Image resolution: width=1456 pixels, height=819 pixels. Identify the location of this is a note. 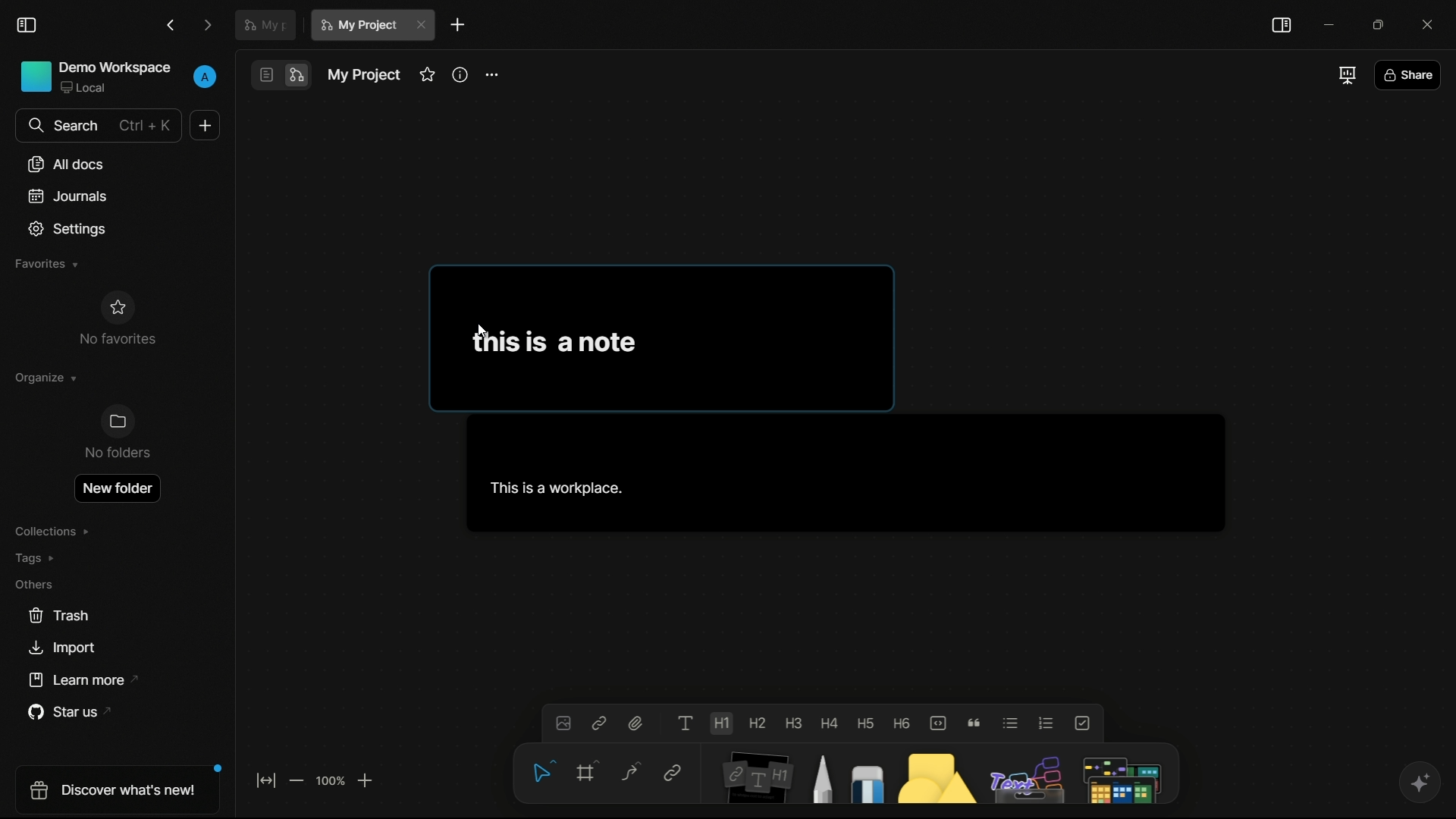
(554, 339).